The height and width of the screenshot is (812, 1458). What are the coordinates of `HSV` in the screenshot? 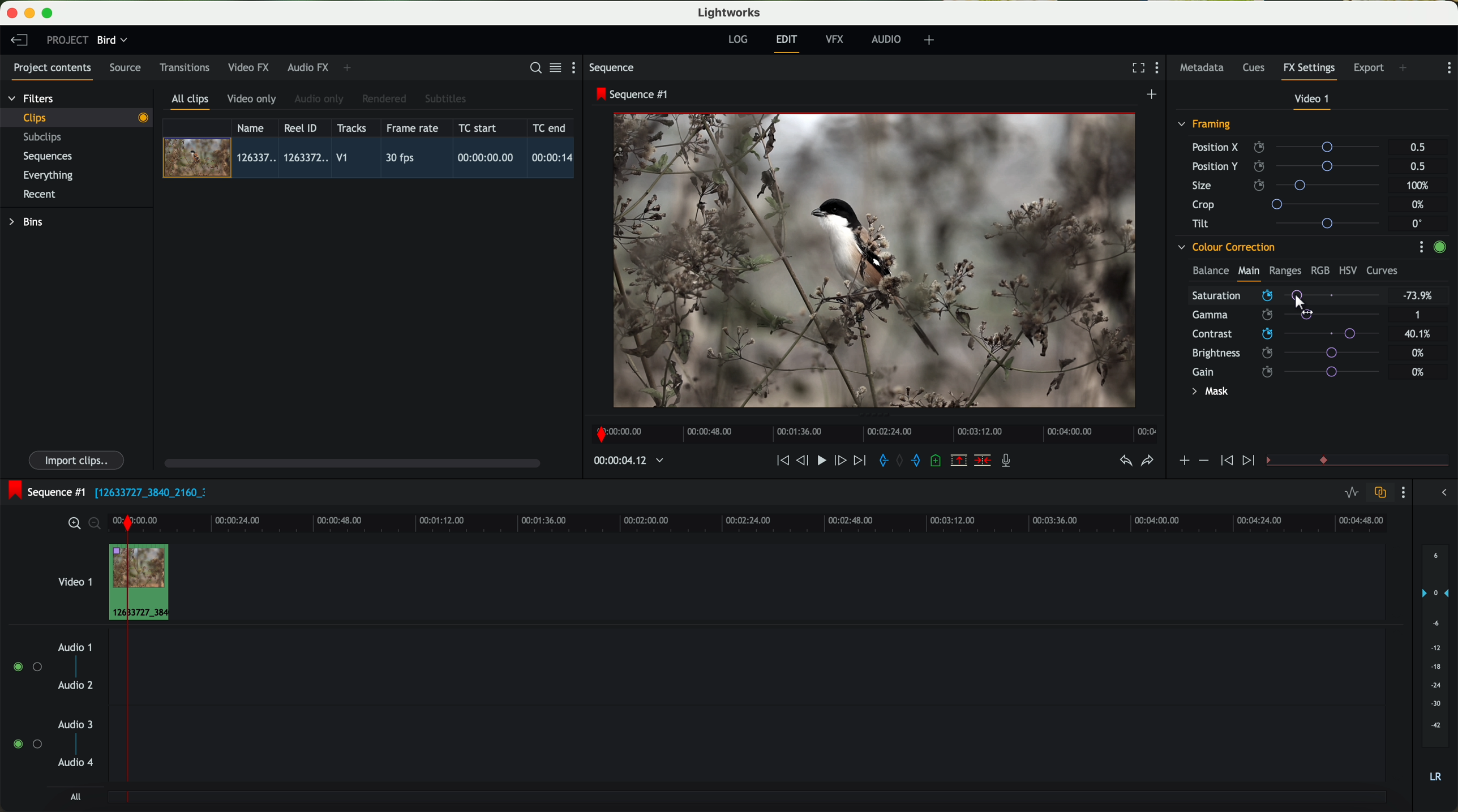 It's located at (1347, 270).